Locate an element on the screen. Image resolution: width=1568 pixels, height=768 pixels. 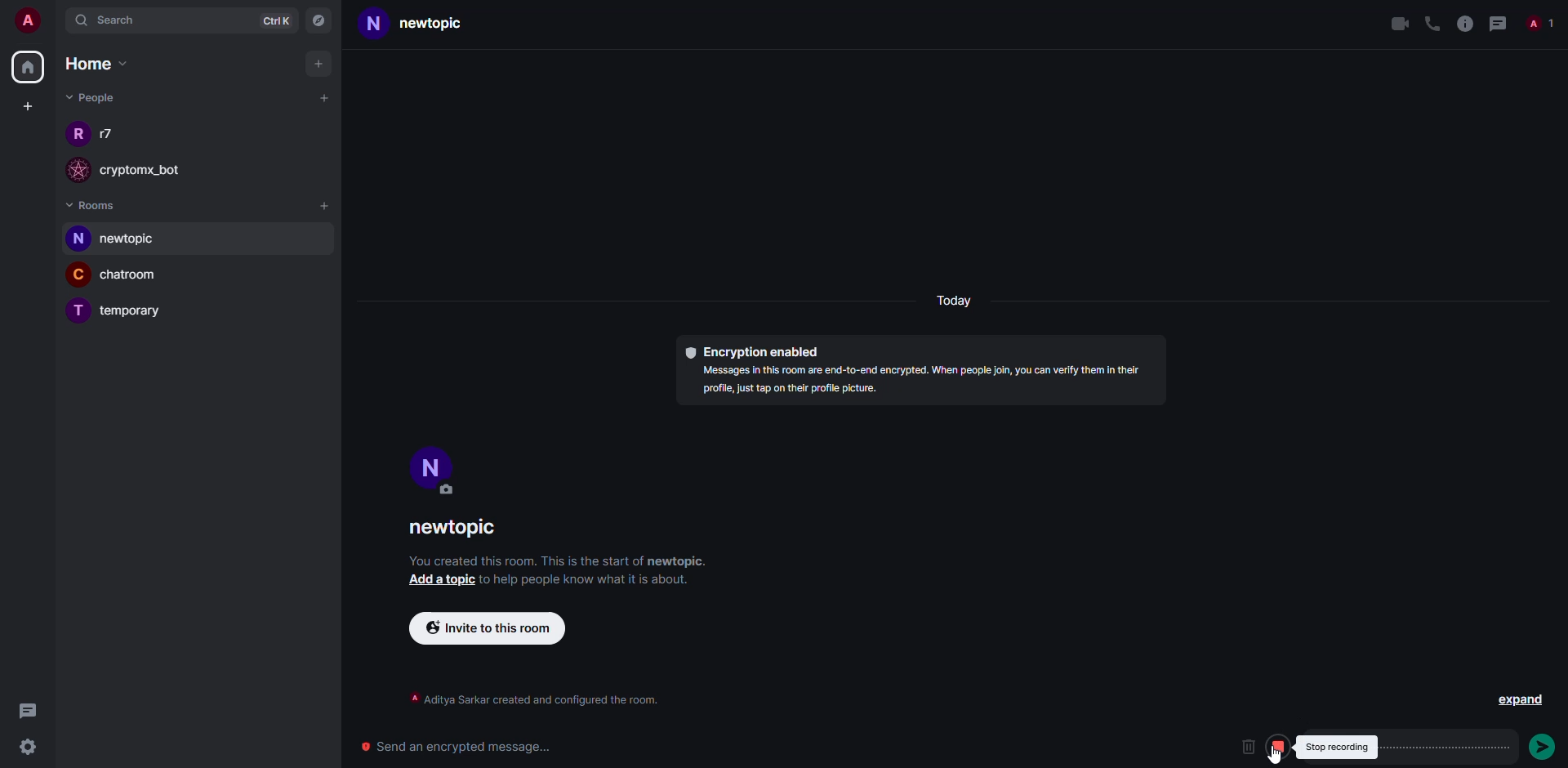
video call is located at coordinates (1398, 24).